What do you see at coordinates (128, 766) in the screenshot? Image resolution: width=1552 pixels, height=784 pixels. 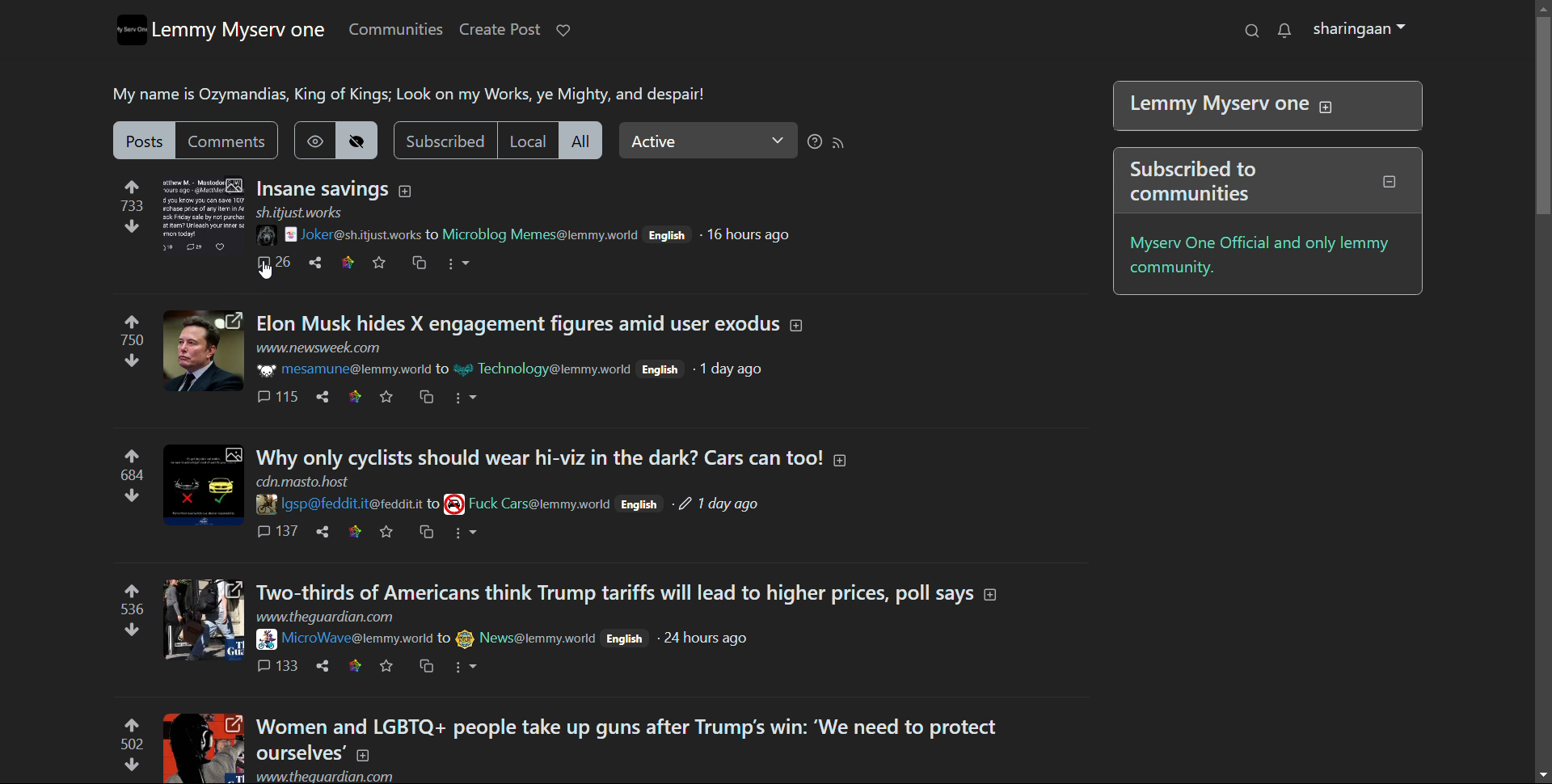 I see `downvotes` at bounding box center [128, 766].